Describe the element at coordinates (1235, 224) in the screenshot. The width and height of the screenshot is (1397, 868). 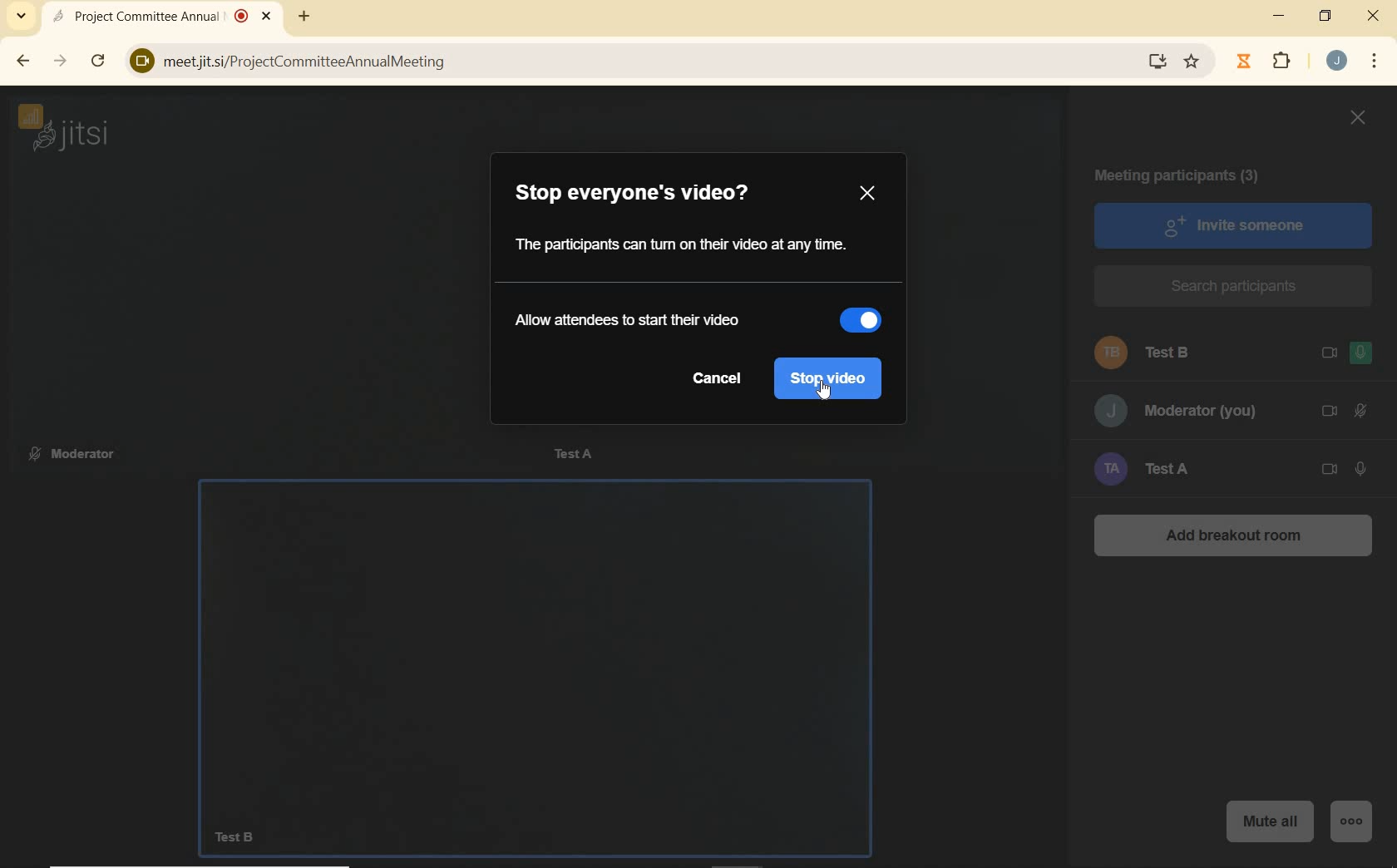
I see `INVITE SOMEONE` at that location.